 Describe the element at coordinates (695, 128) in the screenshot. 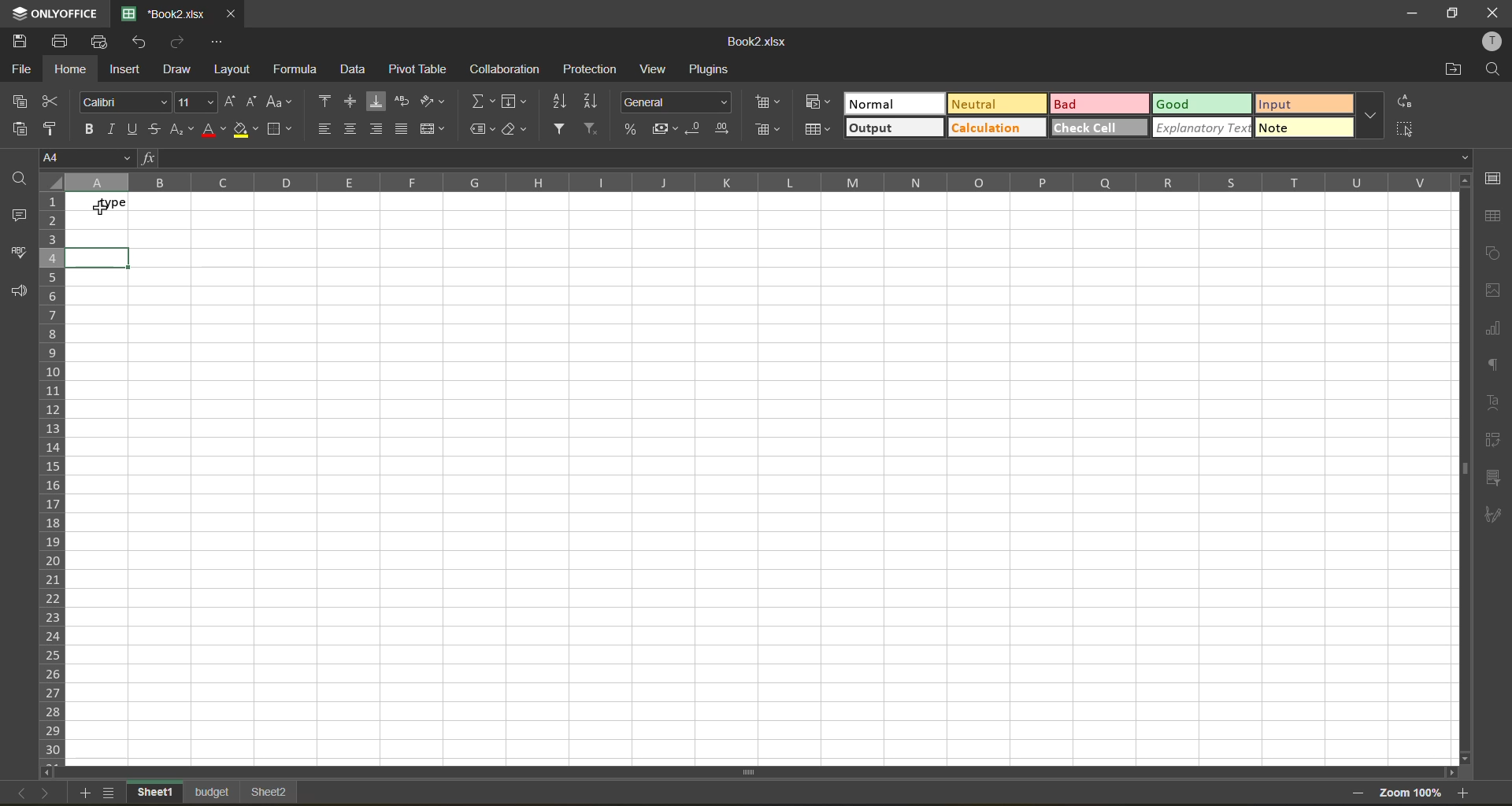

I see `decrease decimal` at that location.